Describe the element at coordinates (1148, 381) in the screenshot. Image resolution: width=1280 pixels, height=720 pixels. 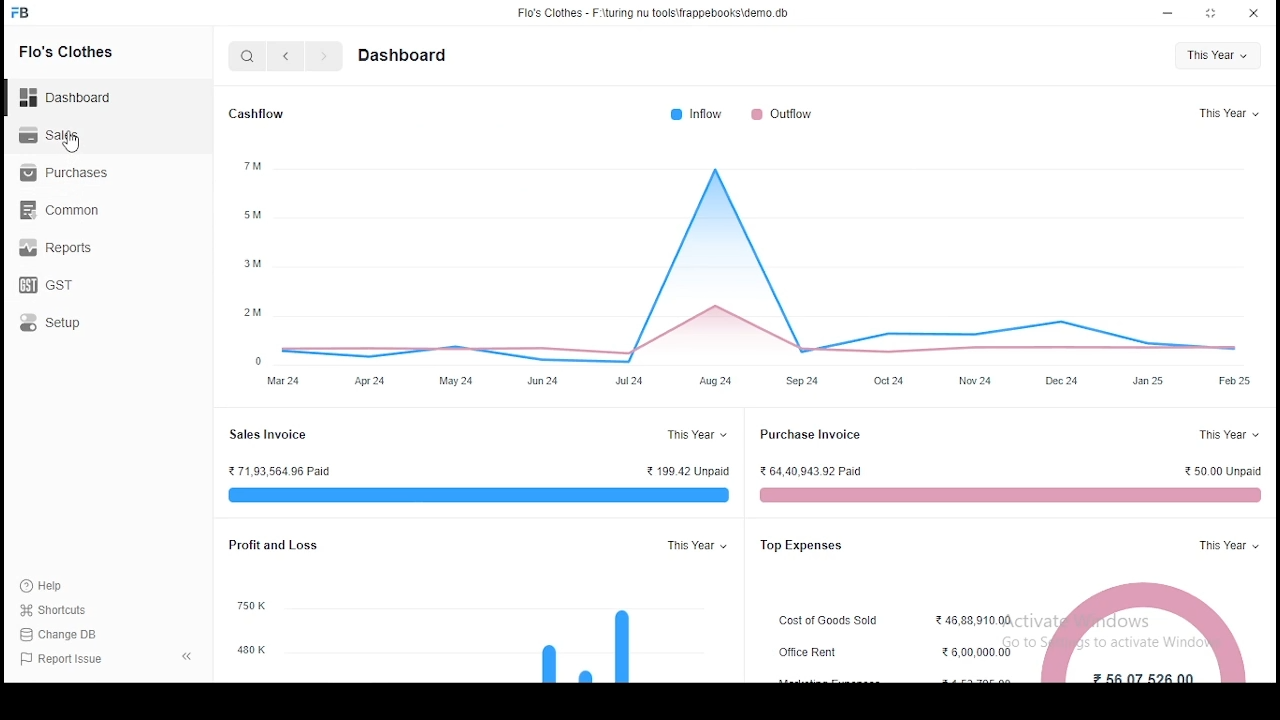
I see `jan 25` at that location.